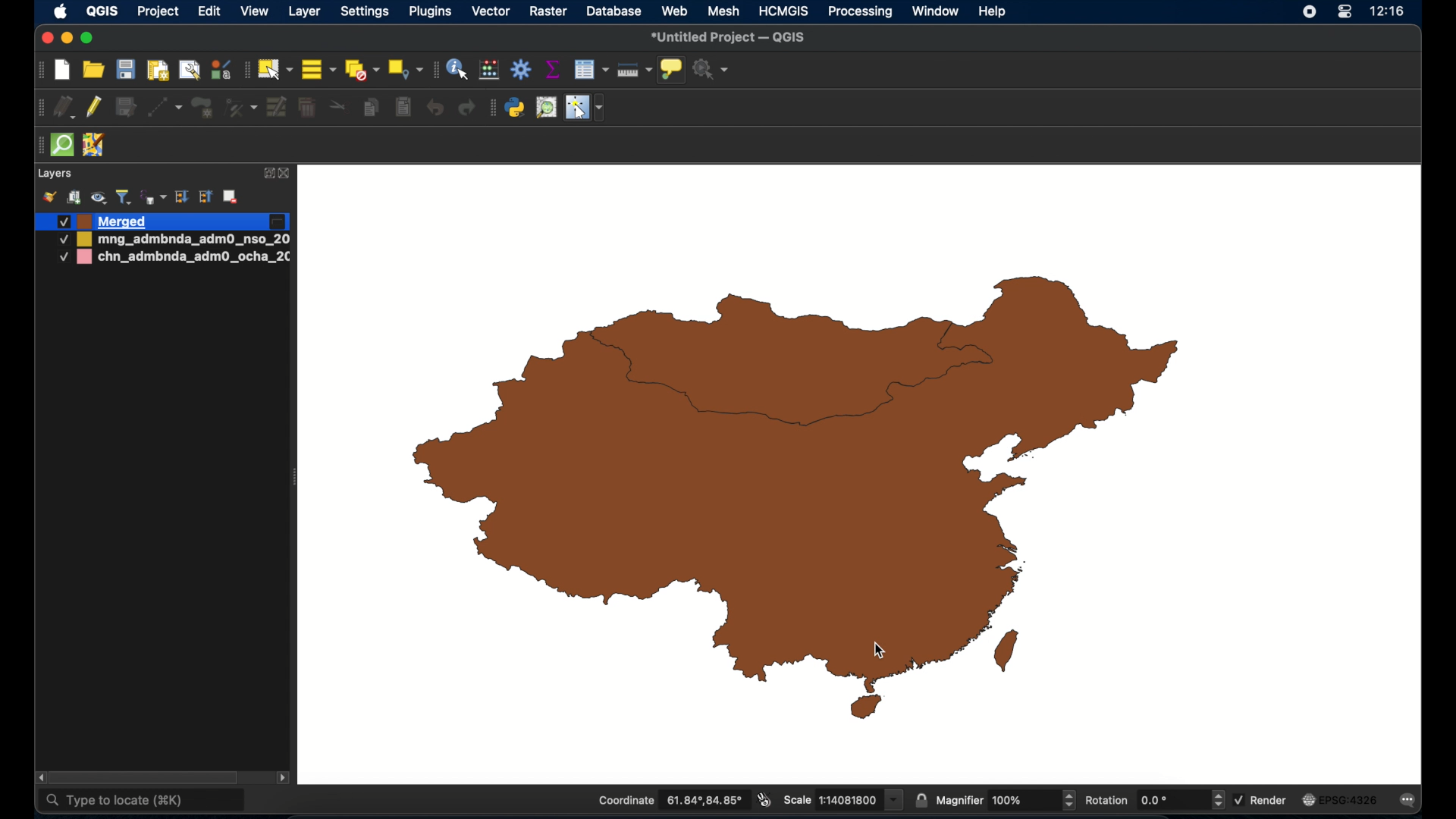 This screenshot has height=819, width=1456. Describe the element at coordinates (286, 174) in the screenshot. I see `close` at that location.